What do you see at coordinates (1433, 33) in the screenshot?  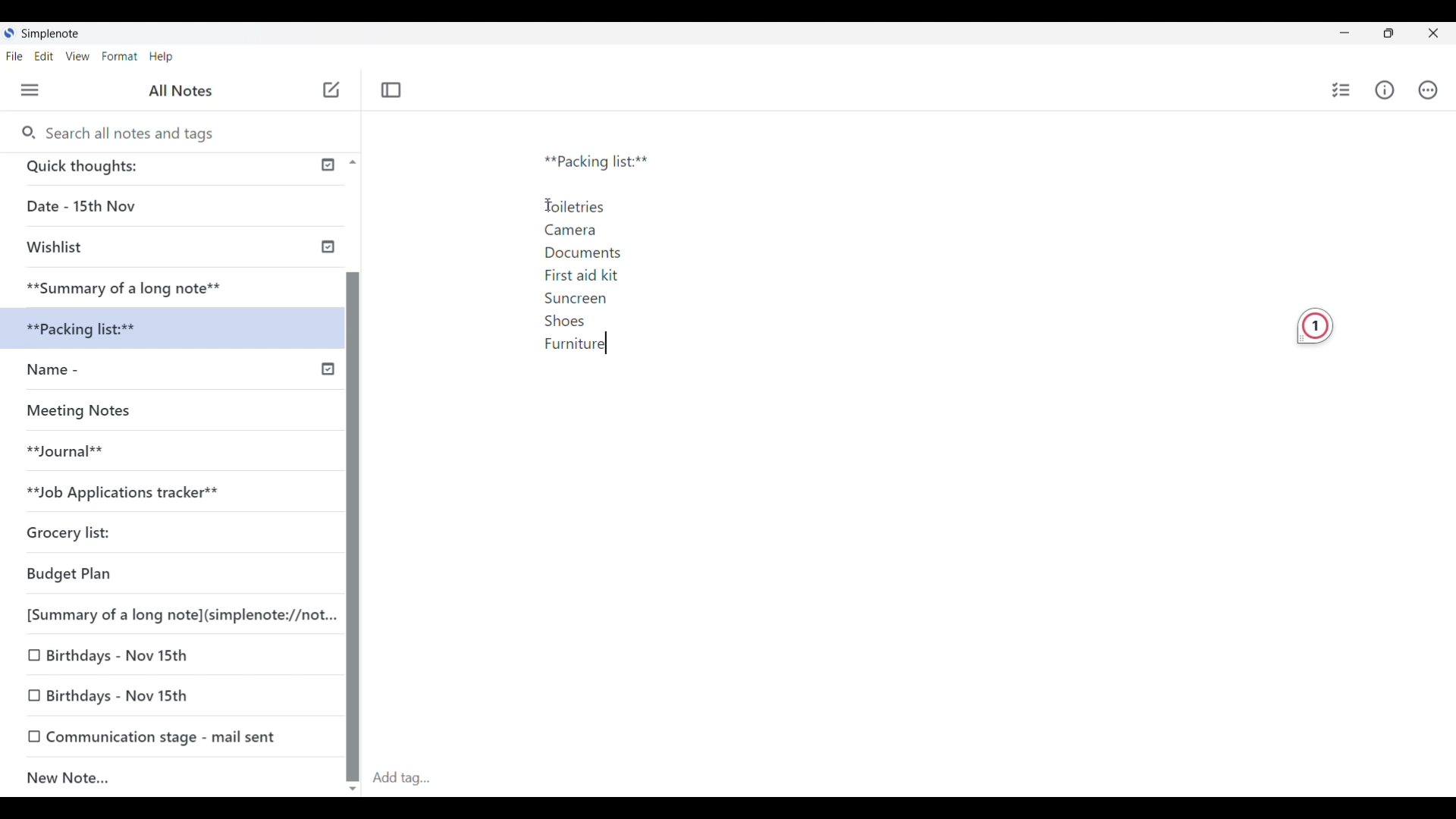 I see `Close interface` at bounding box center [1433, 33].